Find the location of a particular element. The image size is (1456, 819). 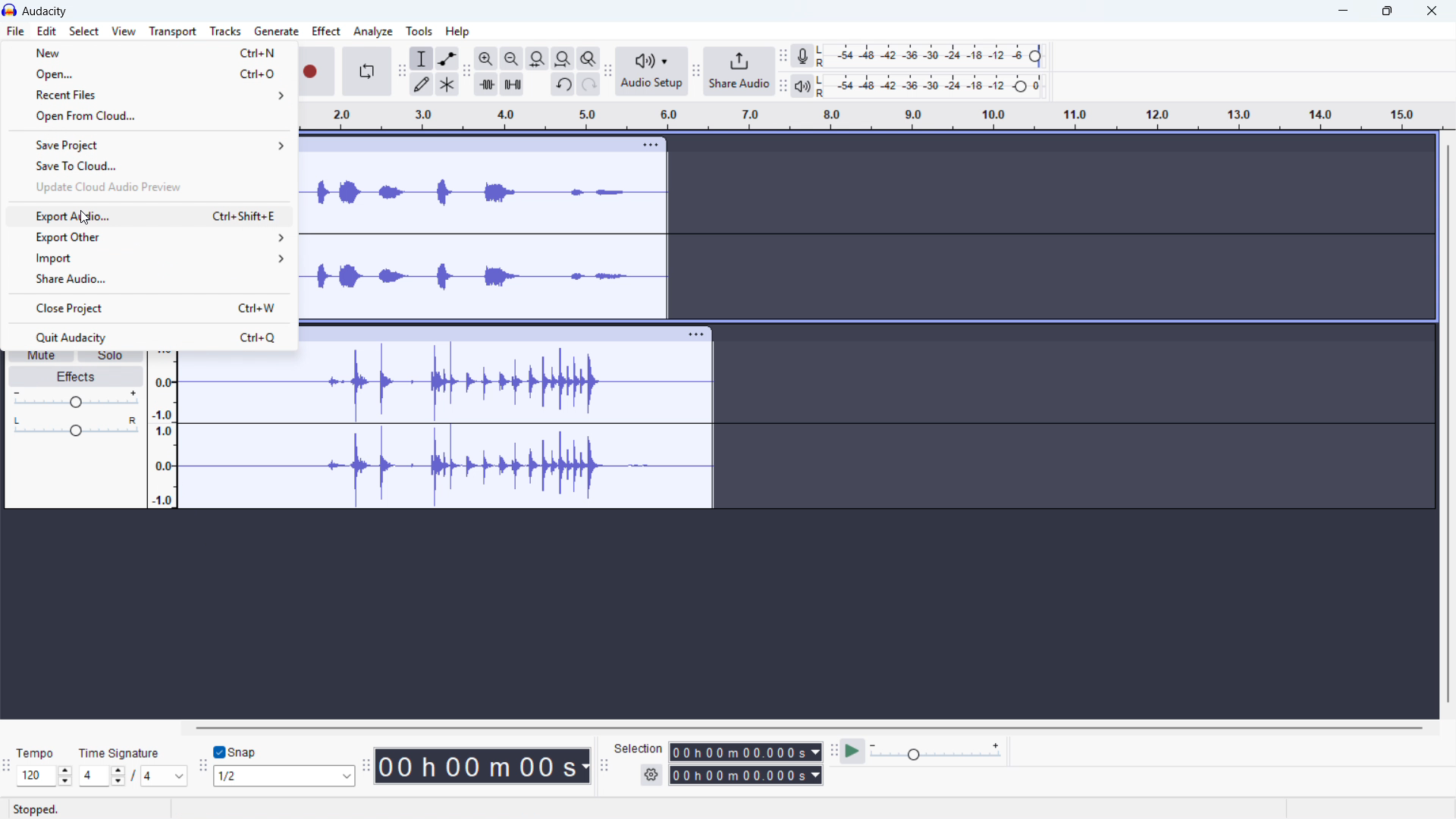

Enable loop  is located at coordinates (366, 71).